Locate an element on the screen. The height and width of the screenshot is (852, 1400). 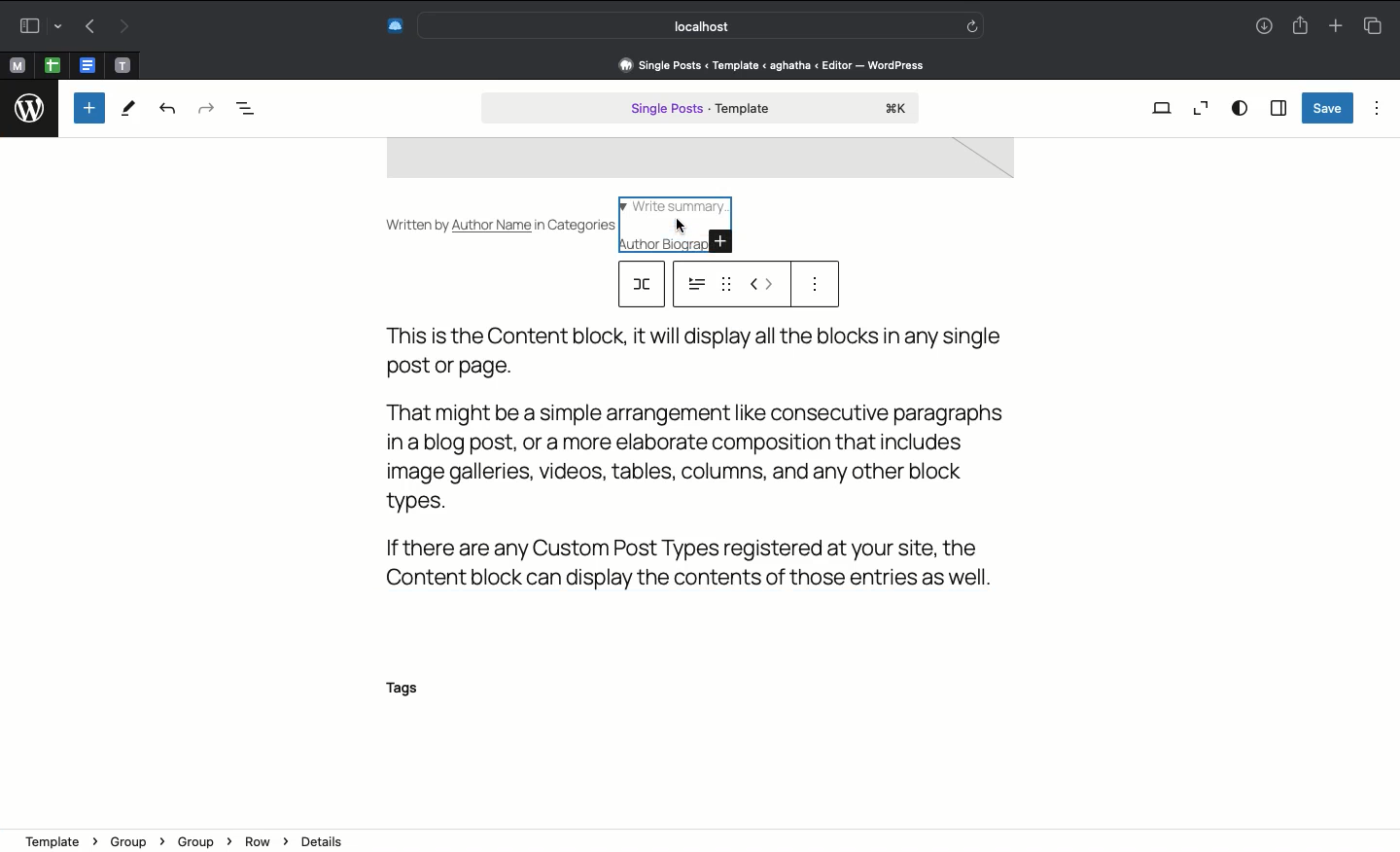
cursor is located at coordinates (682, 224).